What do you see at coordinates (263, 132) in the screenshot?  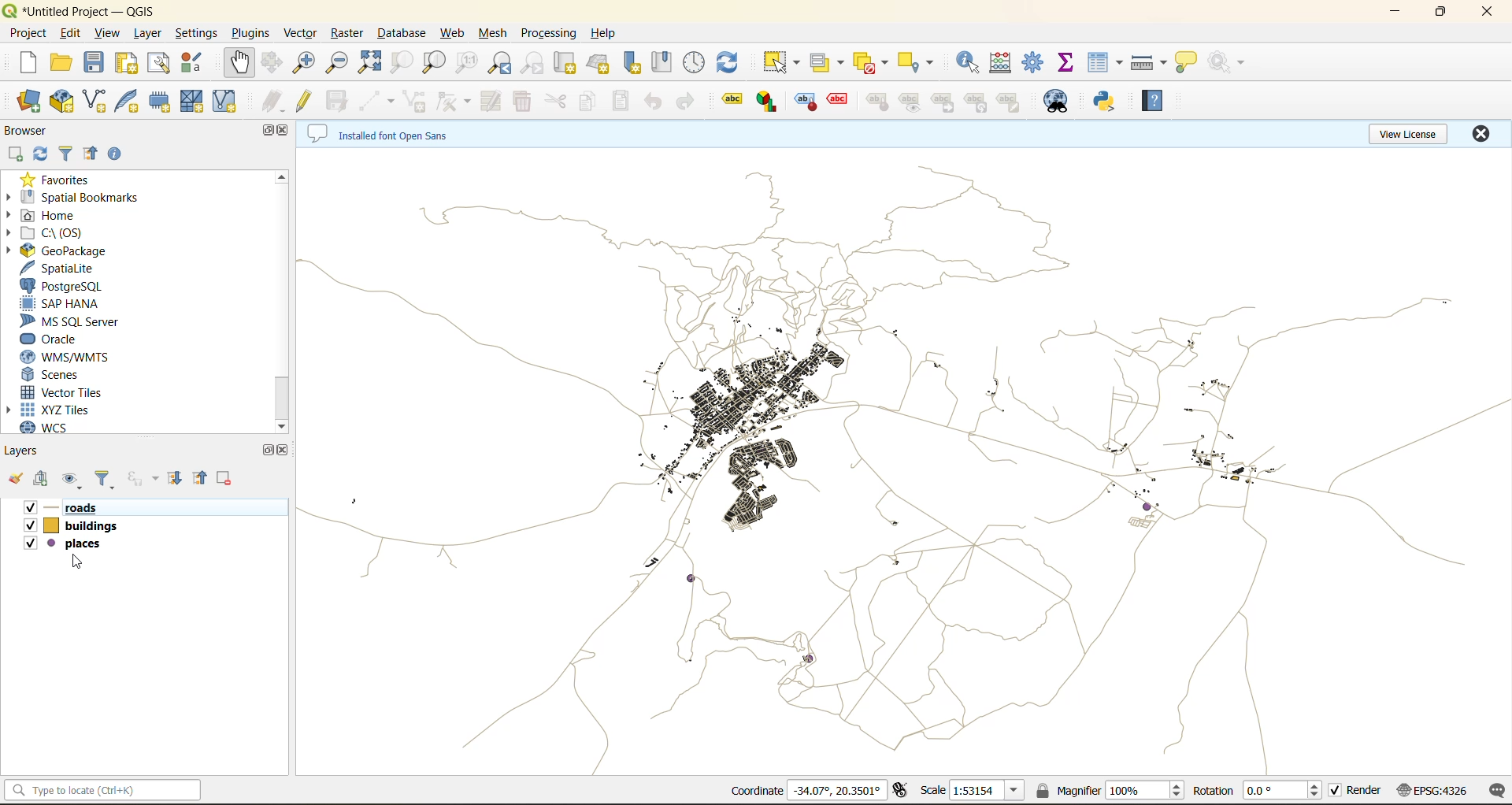 I see `maximize` at bounding box center [263, 132].